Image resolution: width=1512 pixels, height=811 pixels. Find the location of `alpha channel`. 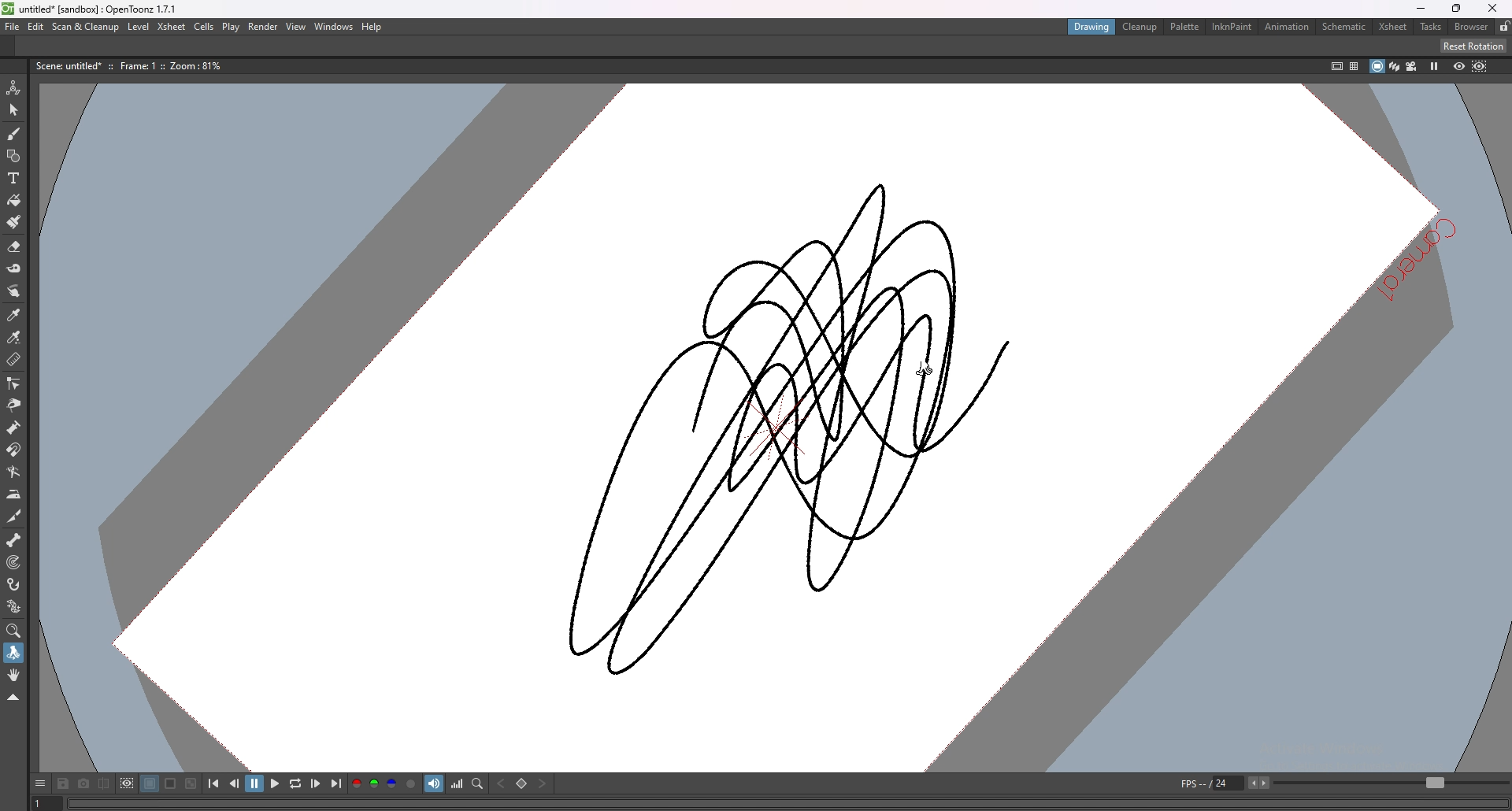

alpha channel is located at coordinates (411, 784).